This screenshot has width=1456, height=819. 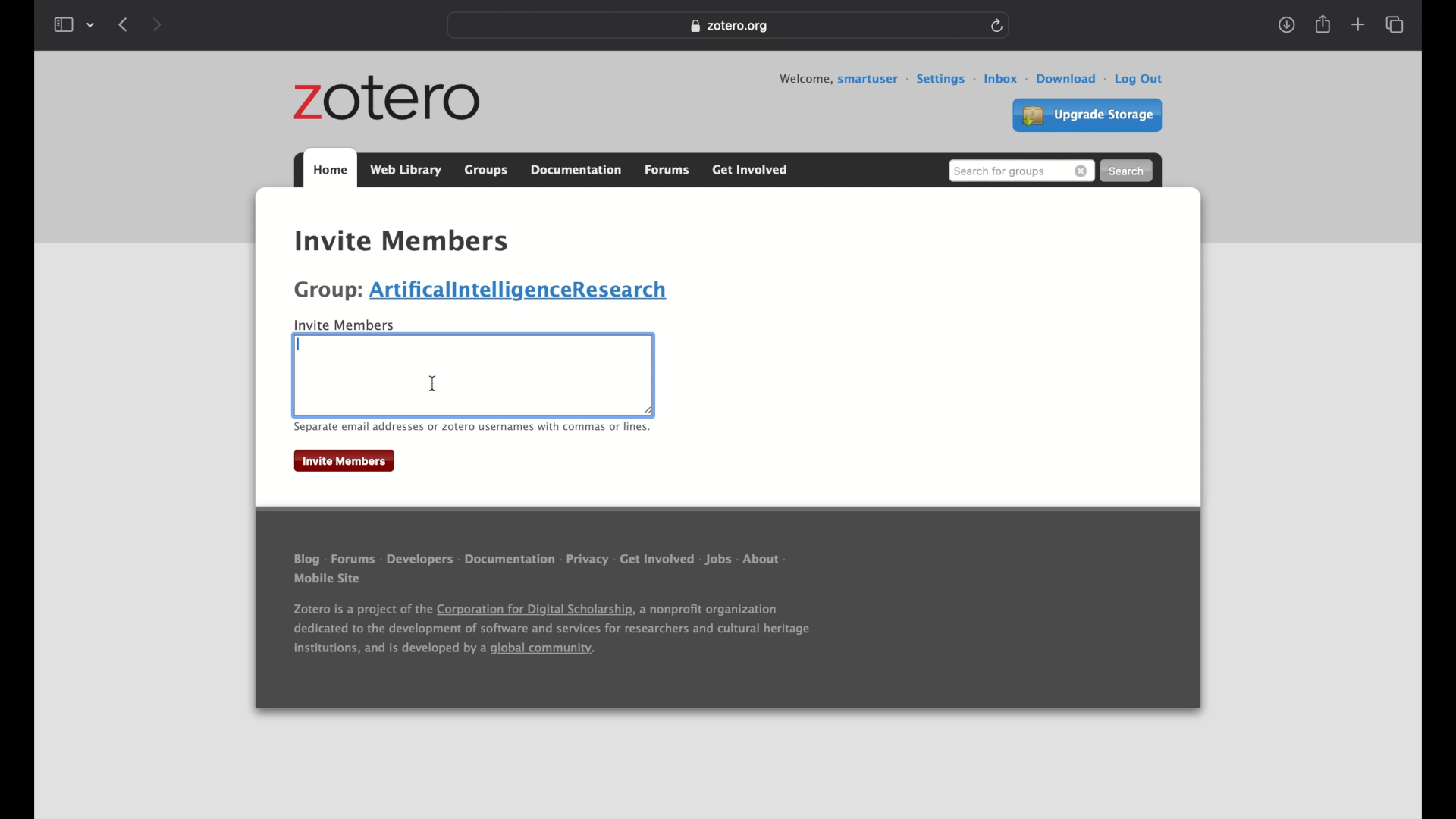 I want to click on text cursor, so click(x=301, y=345).